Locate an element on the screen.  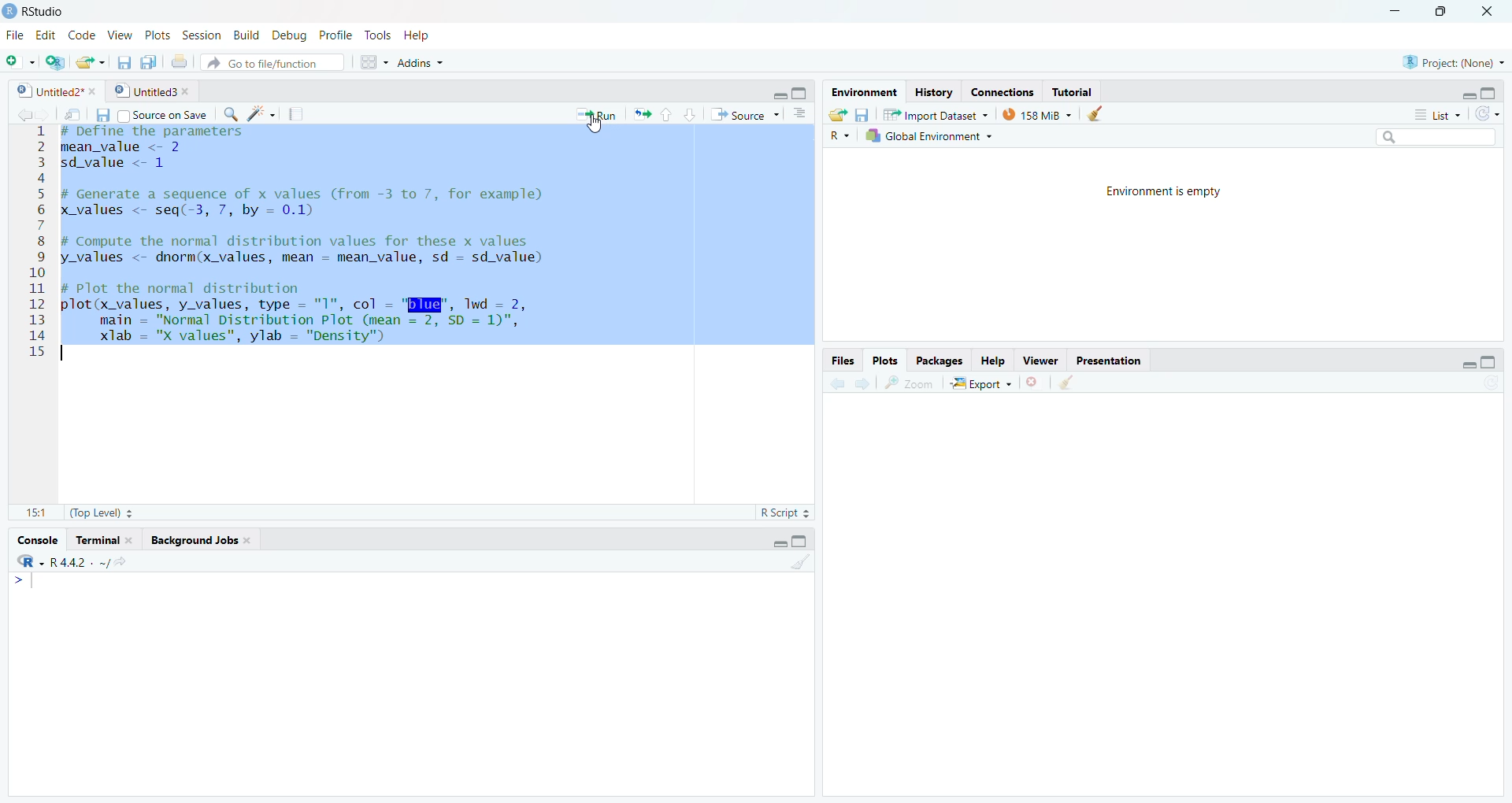
Terminal is located at coordinates (105, 538).